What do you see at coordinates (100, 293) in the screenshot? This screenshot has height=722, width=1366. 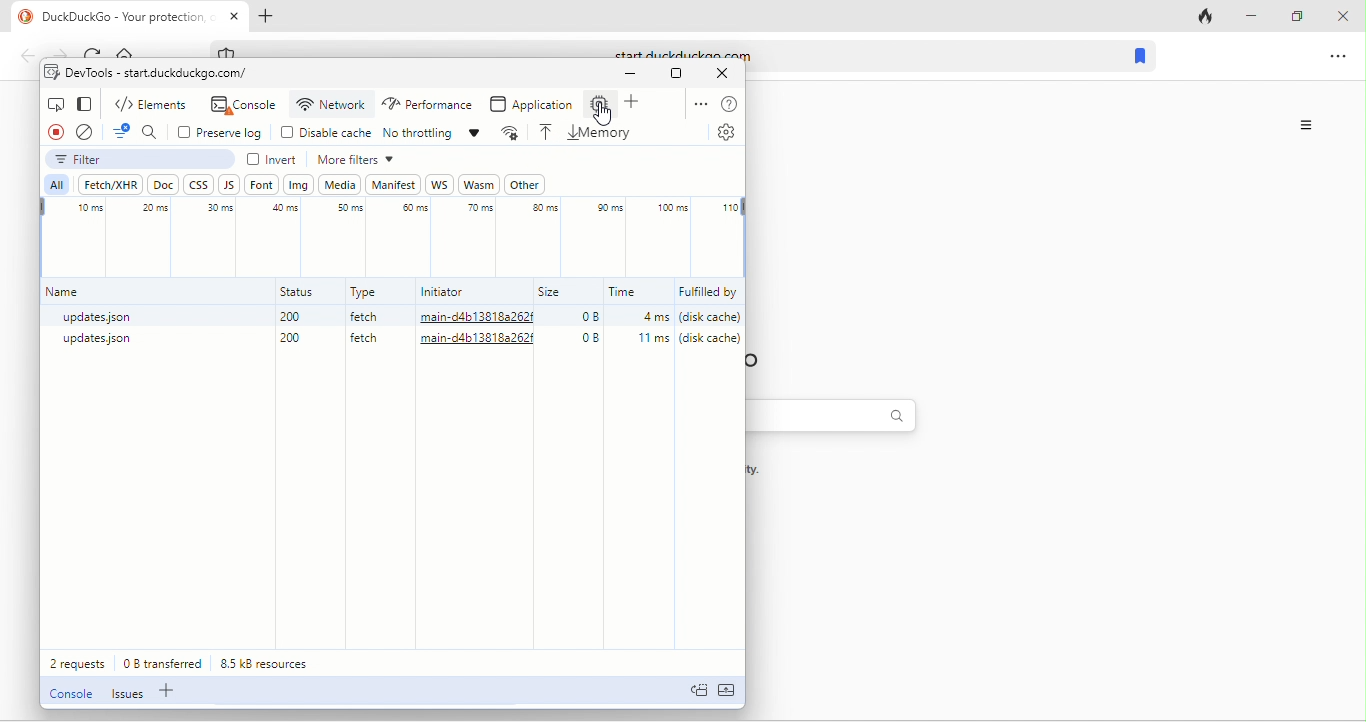 I see `name` at bounding box center [100, 293].